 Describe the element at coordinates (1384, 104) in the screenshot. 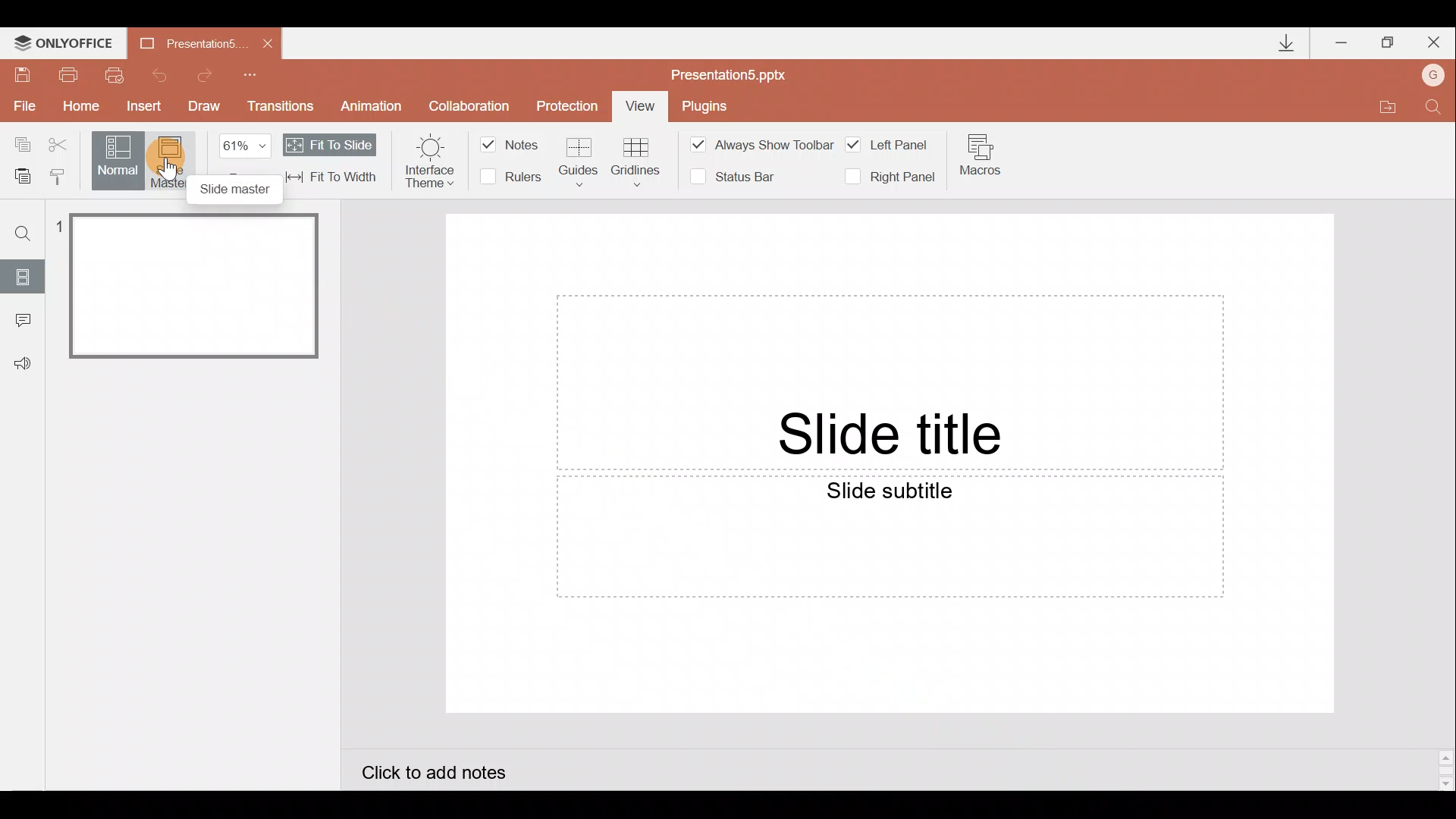

I see `Open file location` at that location.